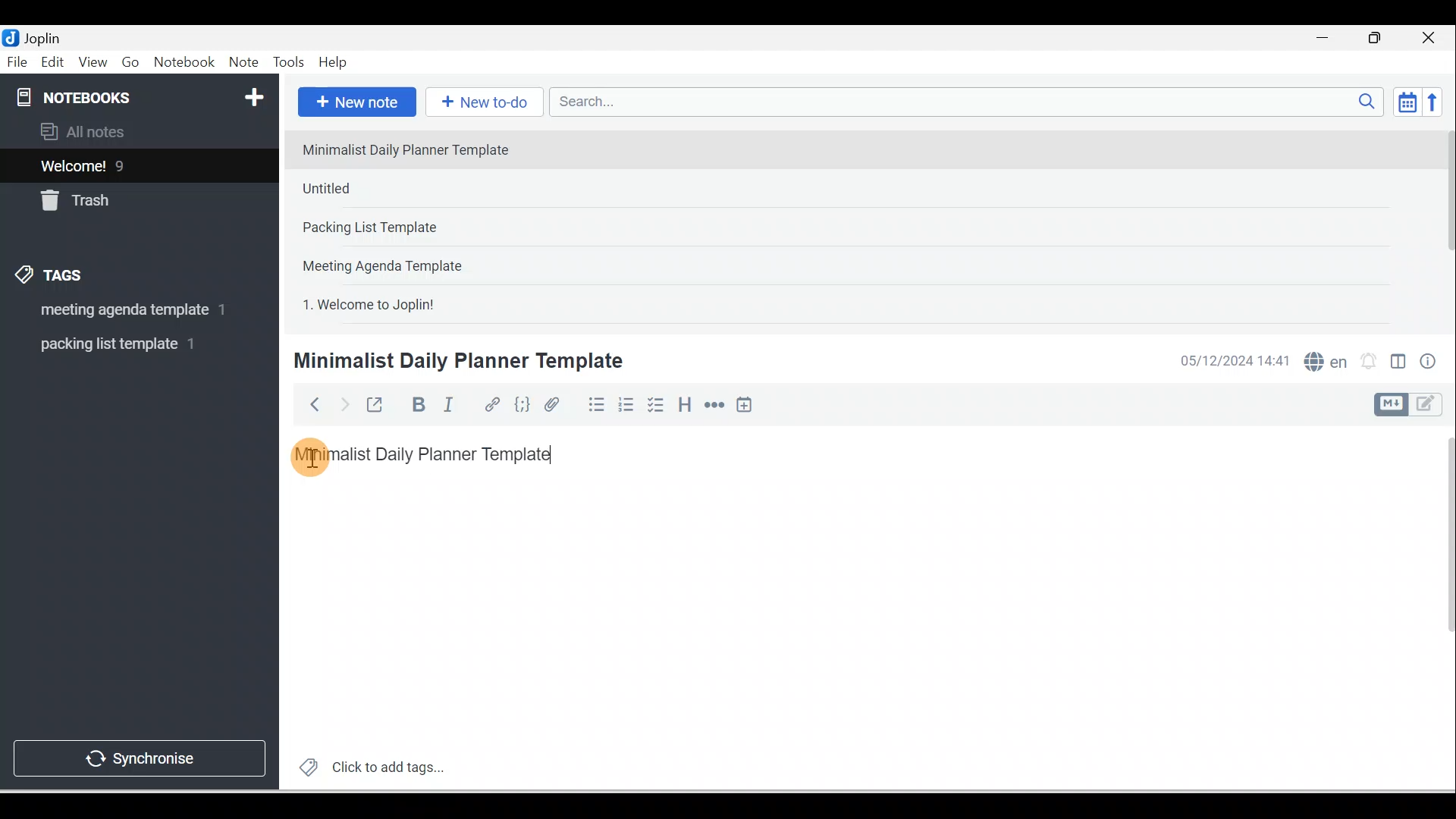 This screenshot has width=1456, height=819. Describe the element at coordinates (716, 405) in the screenshot. I see `Horizontal rule` at that location.